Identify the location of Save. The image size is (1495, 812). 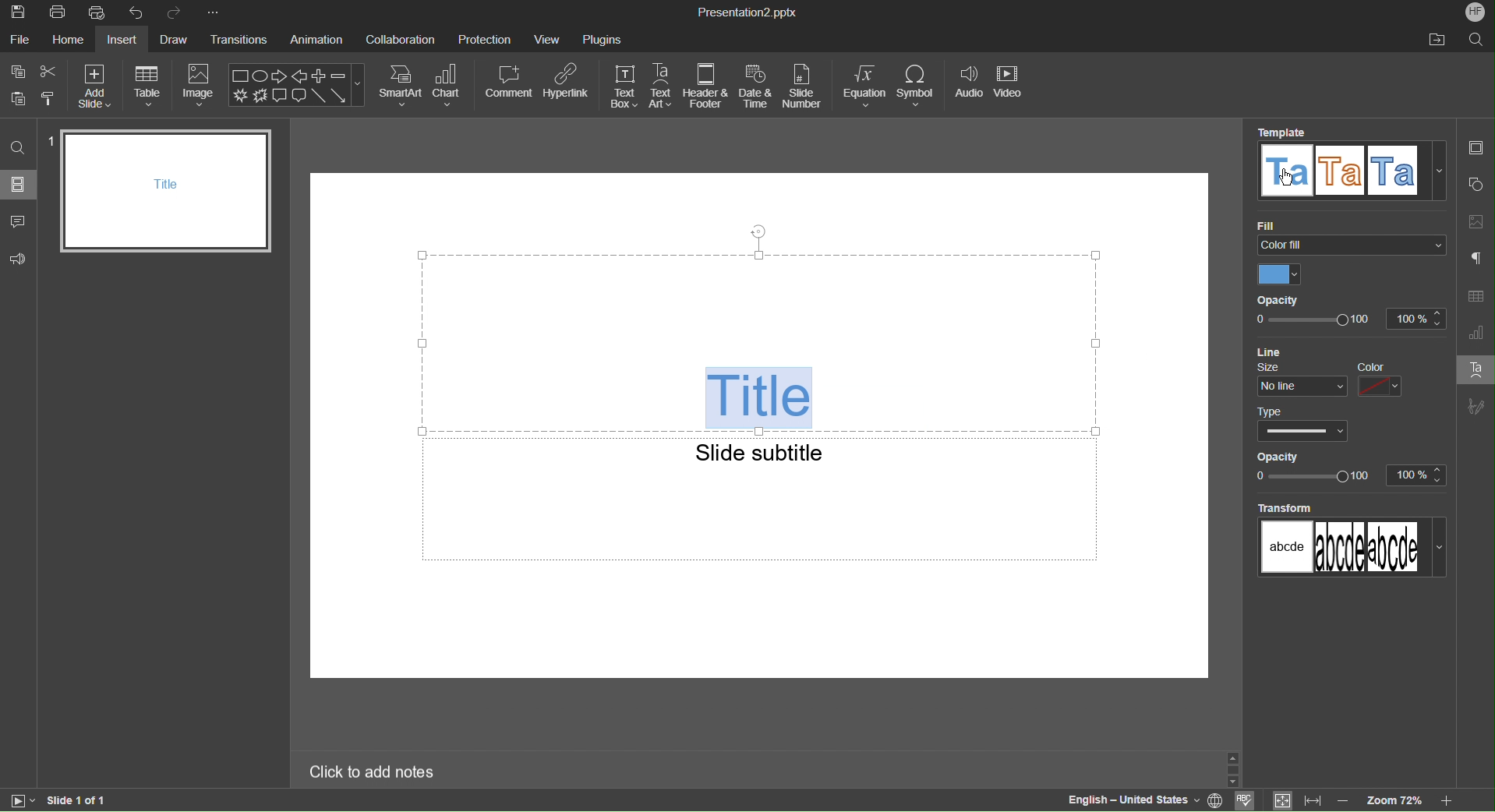
(19, 12).